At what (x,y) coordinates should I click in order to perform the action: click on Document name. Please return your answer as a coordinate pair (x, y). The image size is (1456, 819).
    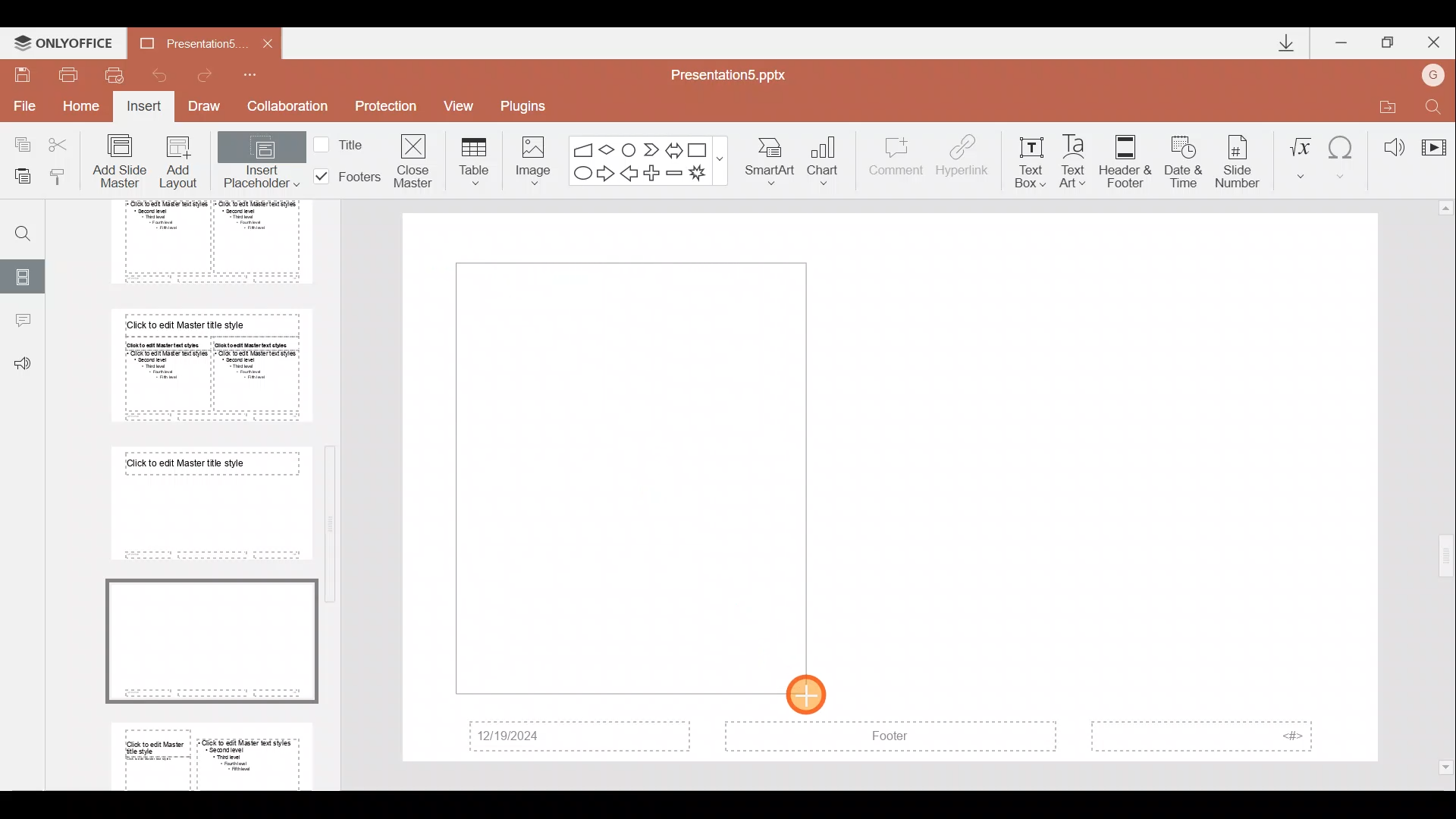
    Looking at the image, I should click on (737, 74).